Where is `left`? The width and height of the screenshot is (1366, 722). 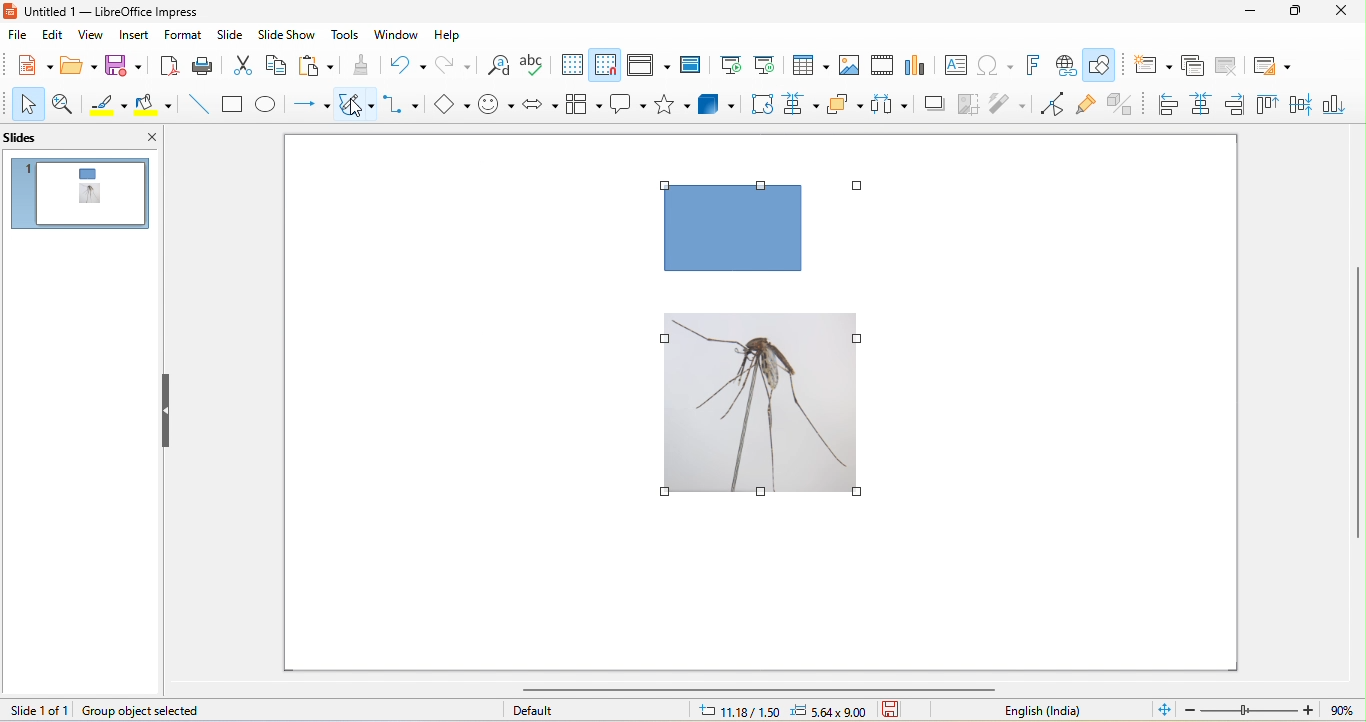 left is located at coordinates (1169, 106).